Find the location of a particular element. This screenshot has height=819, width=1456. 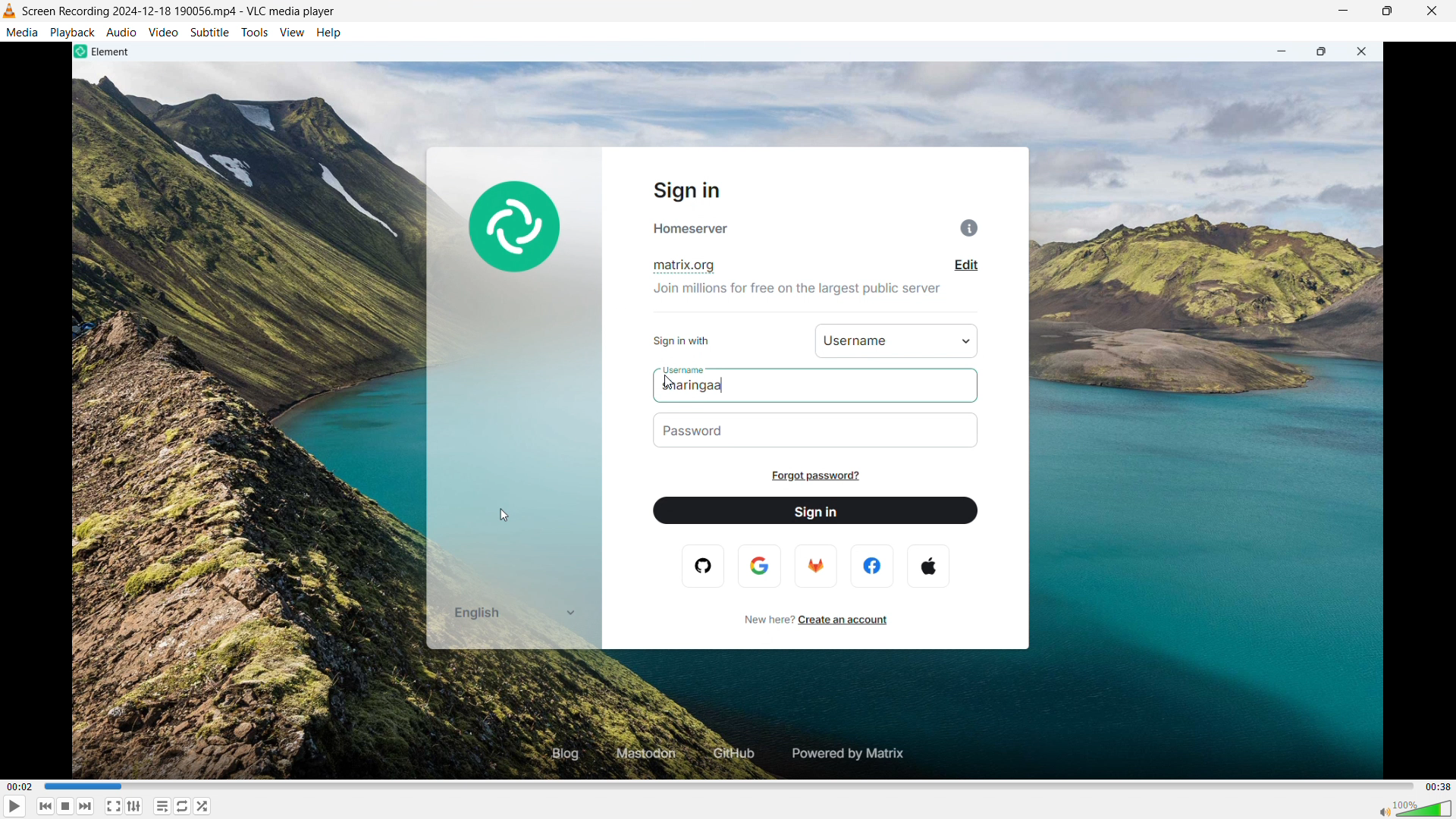

github is located at coordinates (726, 752).